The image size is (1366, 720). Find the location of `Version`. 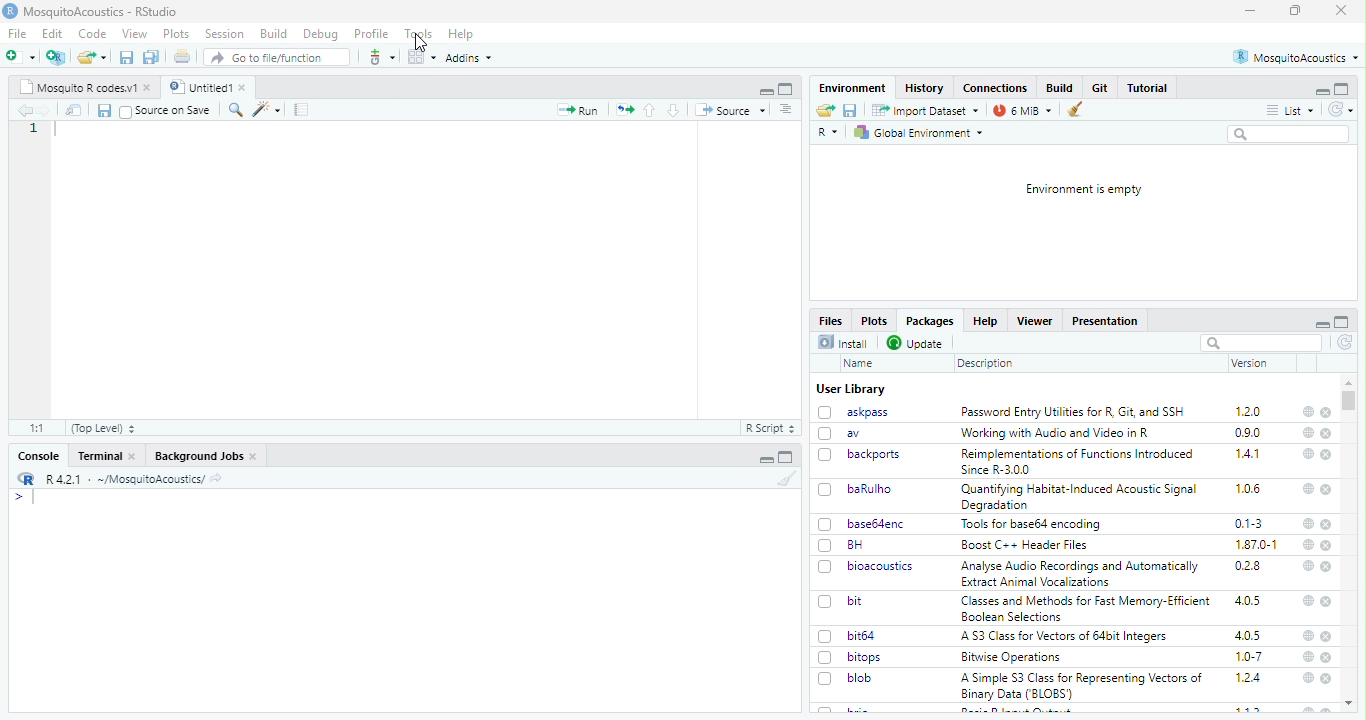

Version is located at coordinates (1251, 363).